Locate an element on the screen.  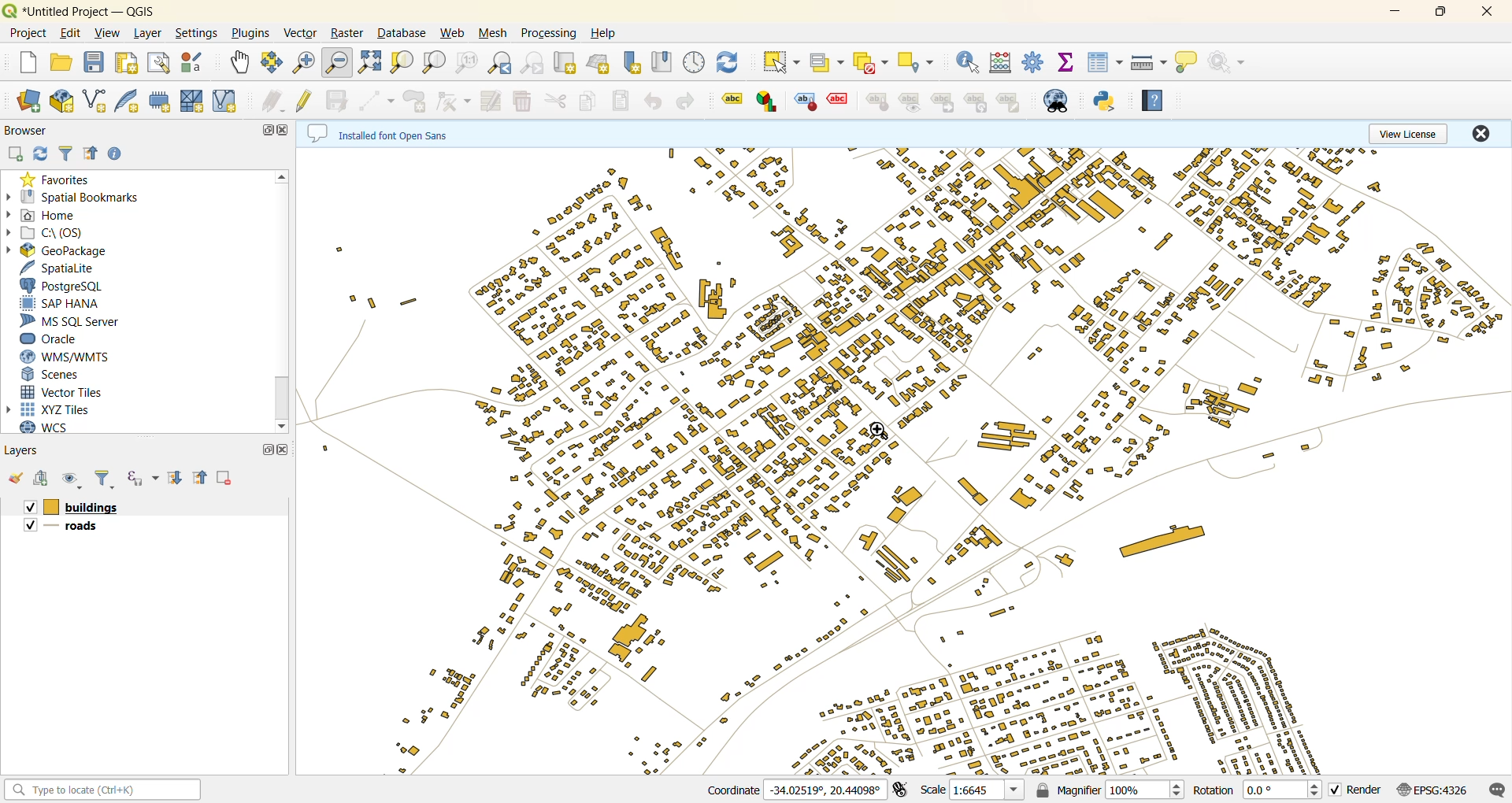
database is located at coordinates (399, 33).